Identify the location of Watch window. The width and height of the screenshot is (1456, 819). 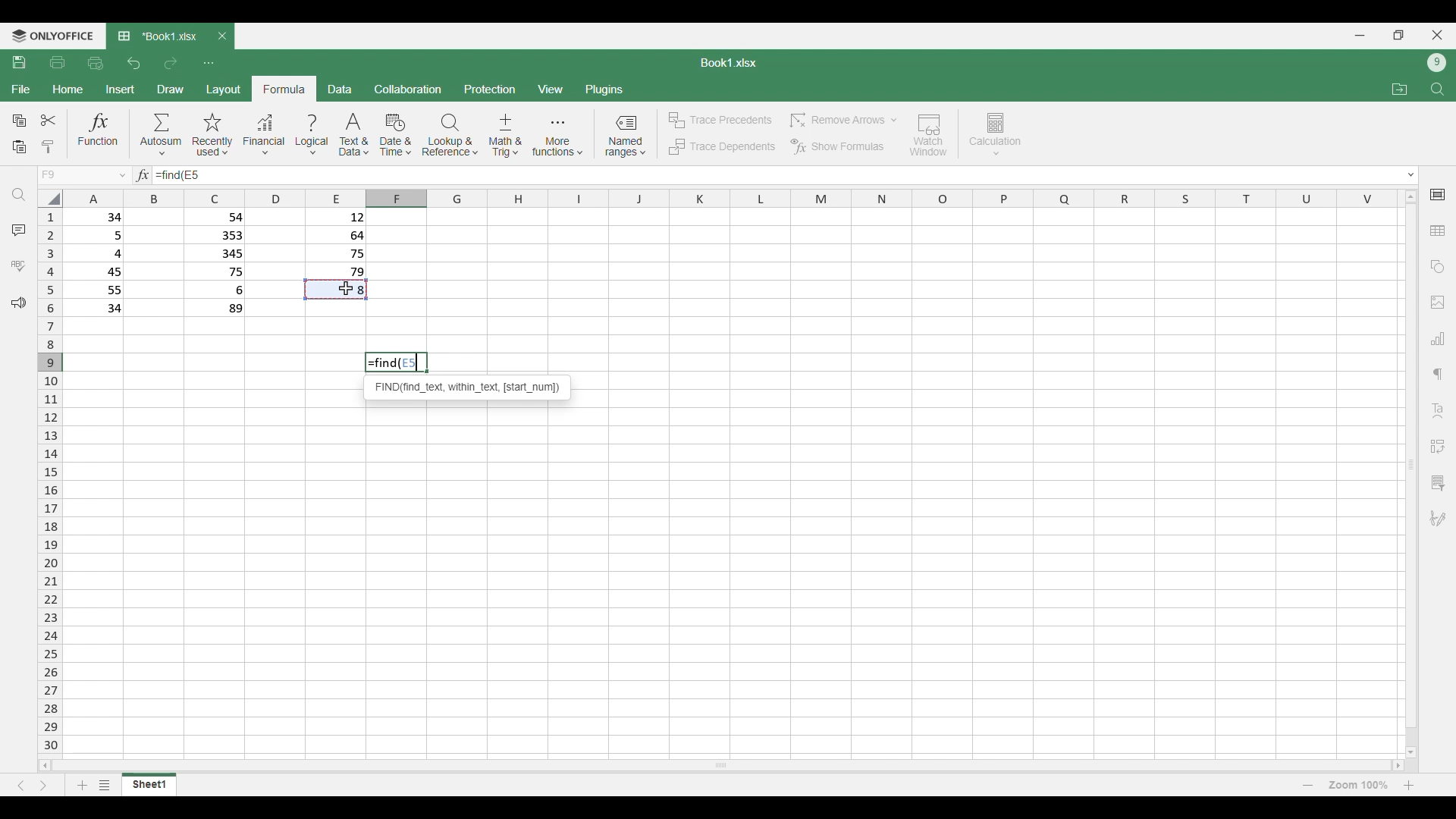
(929, 135).